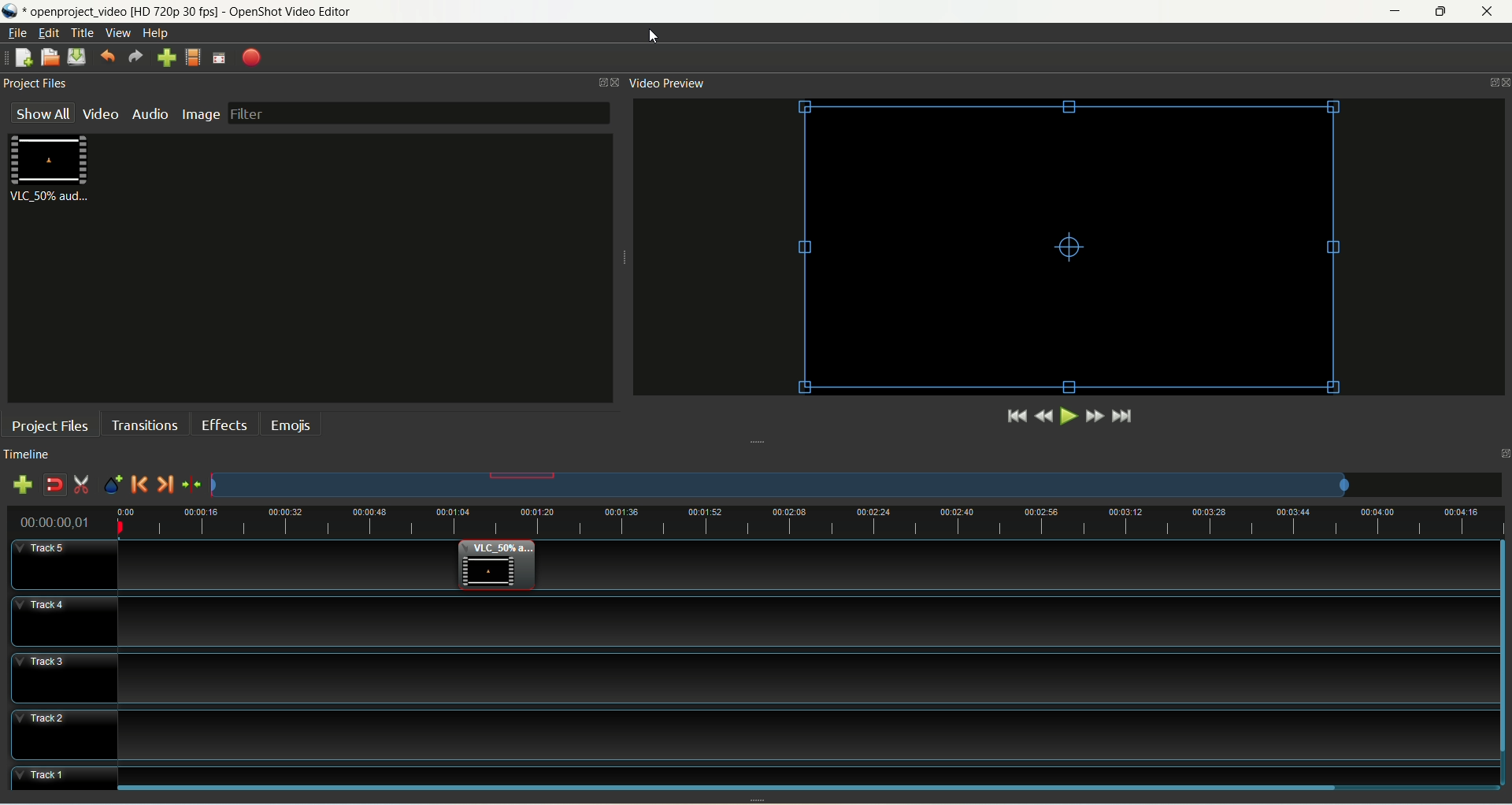 Image resolution: width=1512 pixels, height=805 pixels. What do you see at coordinates (495, 566) in the screenshot?
I see `video clip` at bounding box center [495, 566].